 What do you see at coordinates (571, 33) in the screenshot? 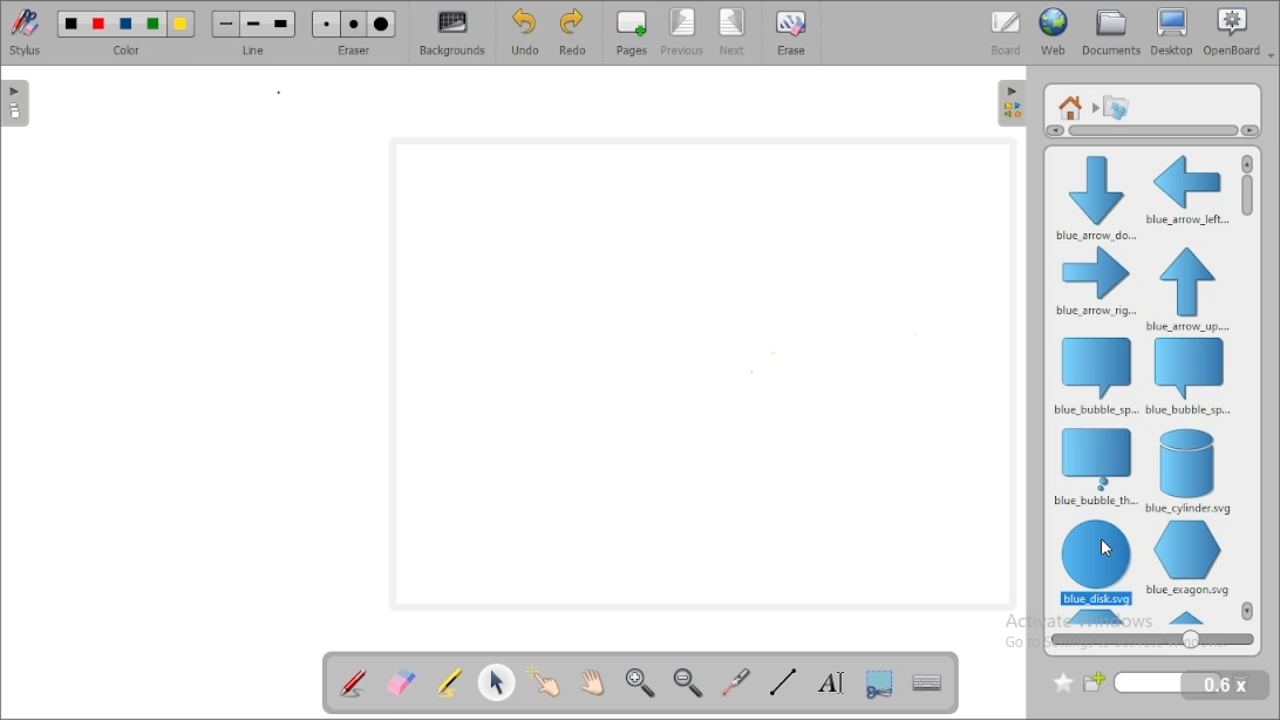
I see `redo` at bounding box center [571, 33].